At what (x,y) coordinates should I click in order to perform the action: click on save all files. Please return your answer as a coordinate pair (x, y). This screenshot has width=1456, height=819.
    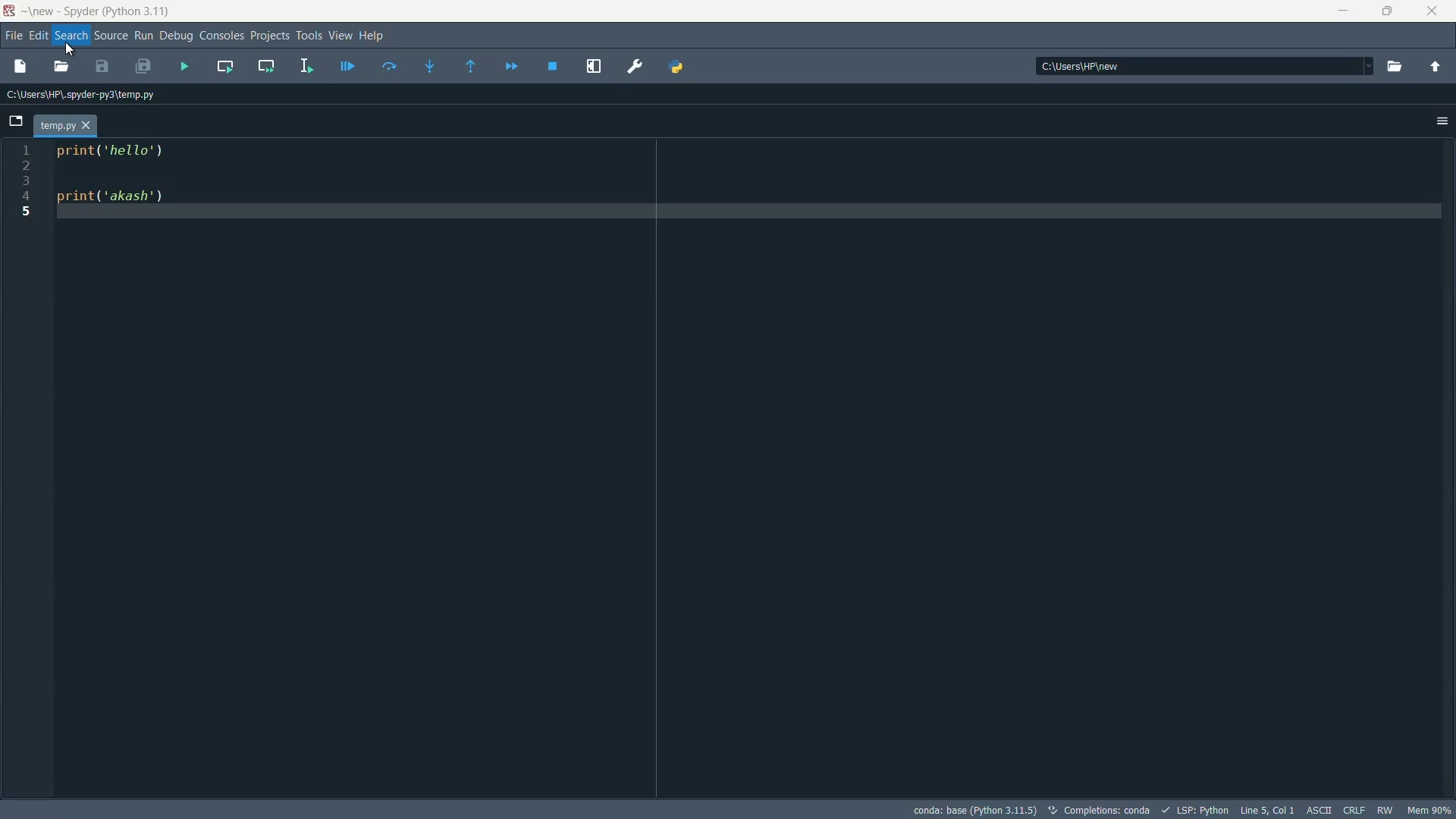
    Looking at the image, I should click on (143, 68).